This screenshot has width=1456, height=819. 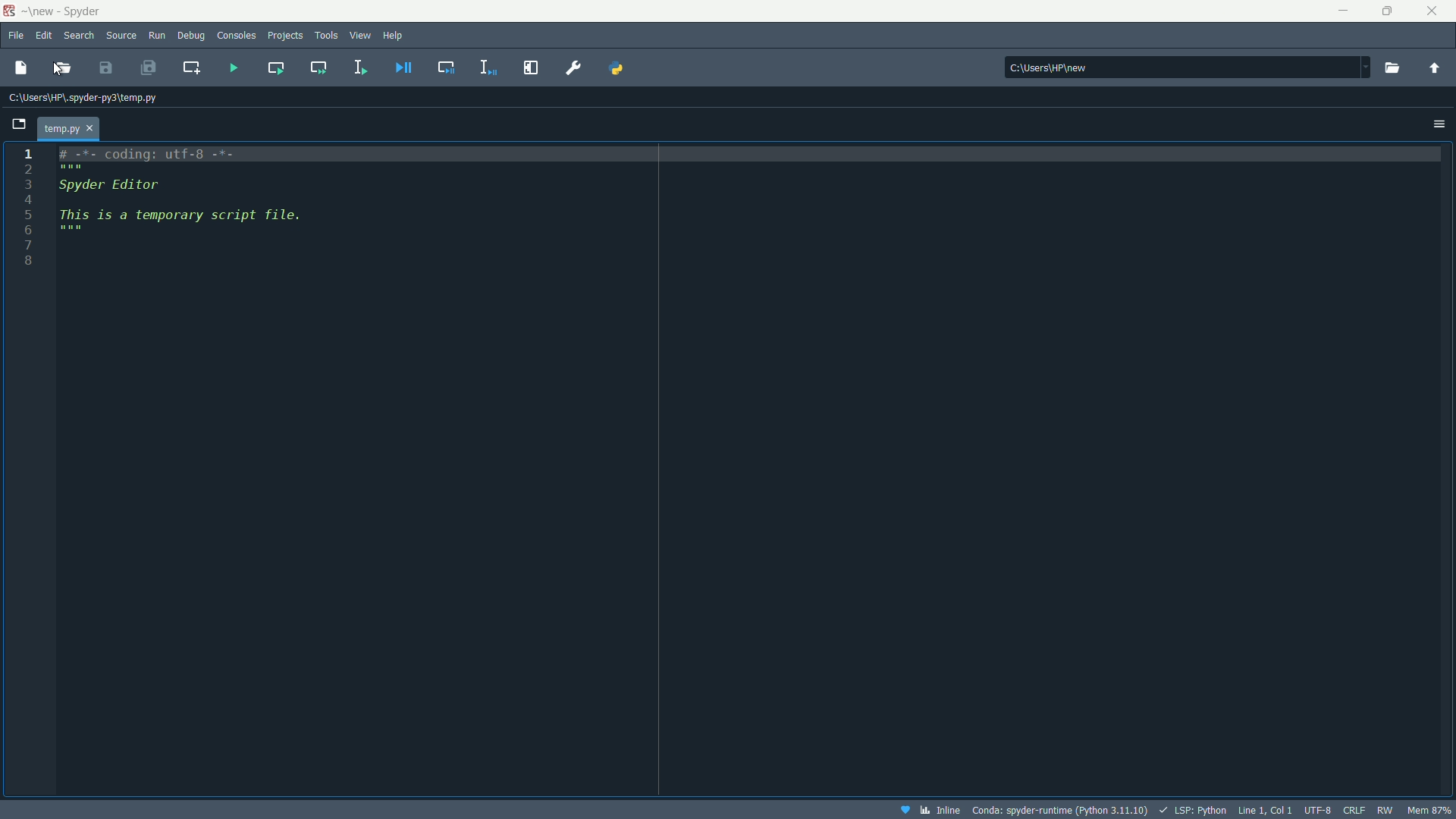 I want to click on File menu, so click(x=15, y=36).